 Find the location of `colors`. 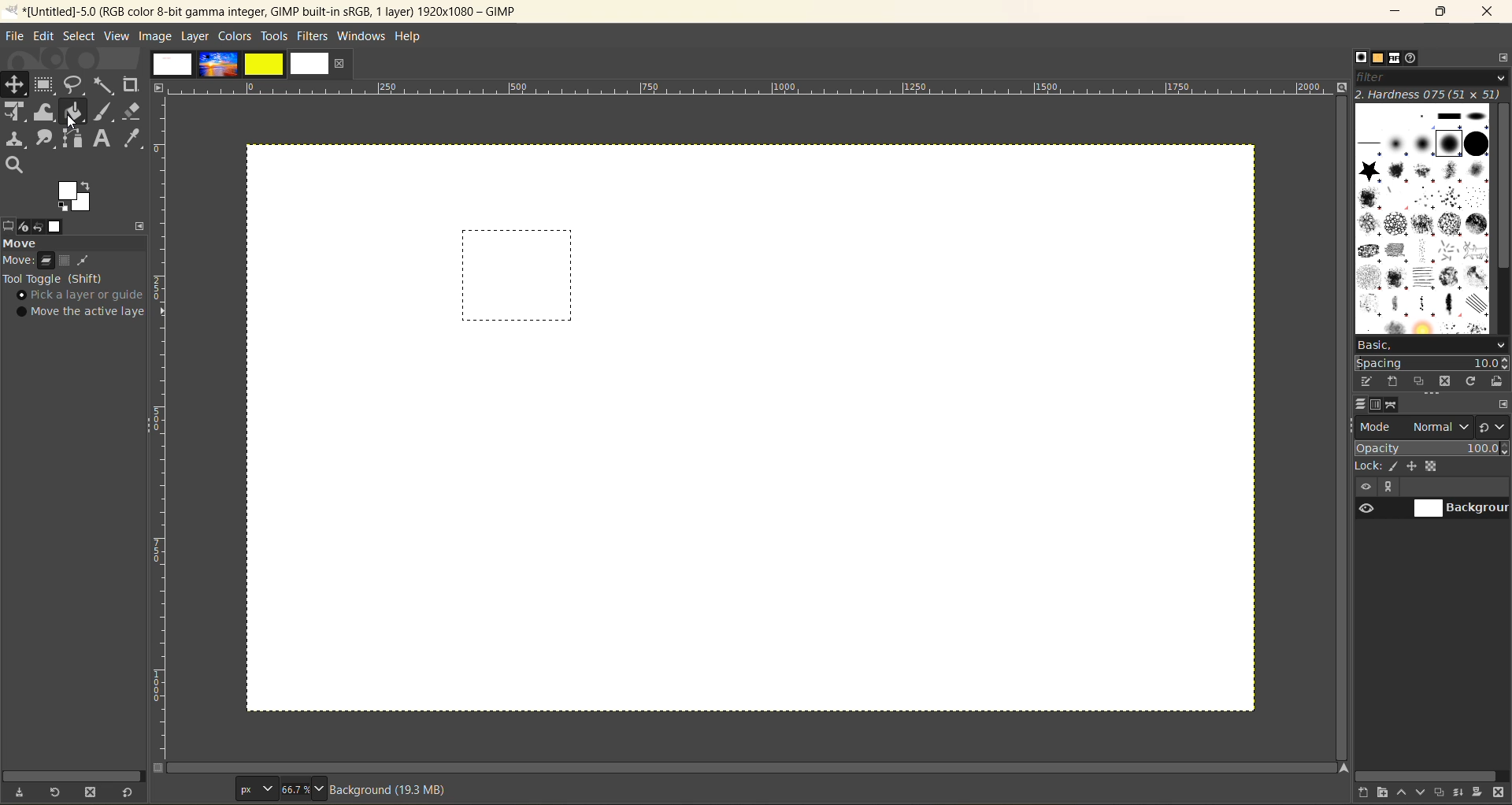

colors is located at coordinates (237, 37).